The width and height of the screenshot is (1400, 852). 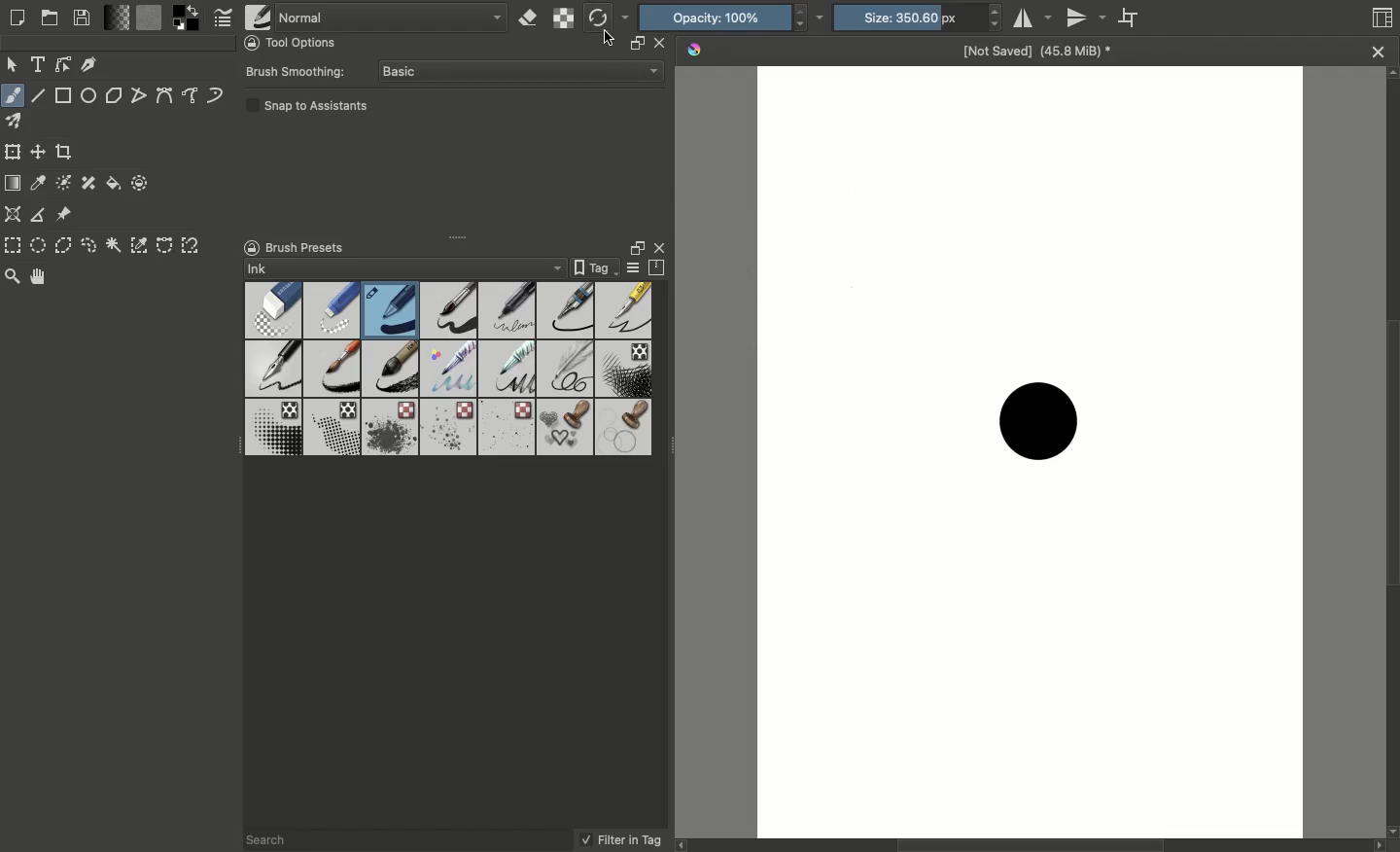 What do you see at coordinates (65, 183) in the screenshot?
I see `Colorize` at bounding box center [65, 183].